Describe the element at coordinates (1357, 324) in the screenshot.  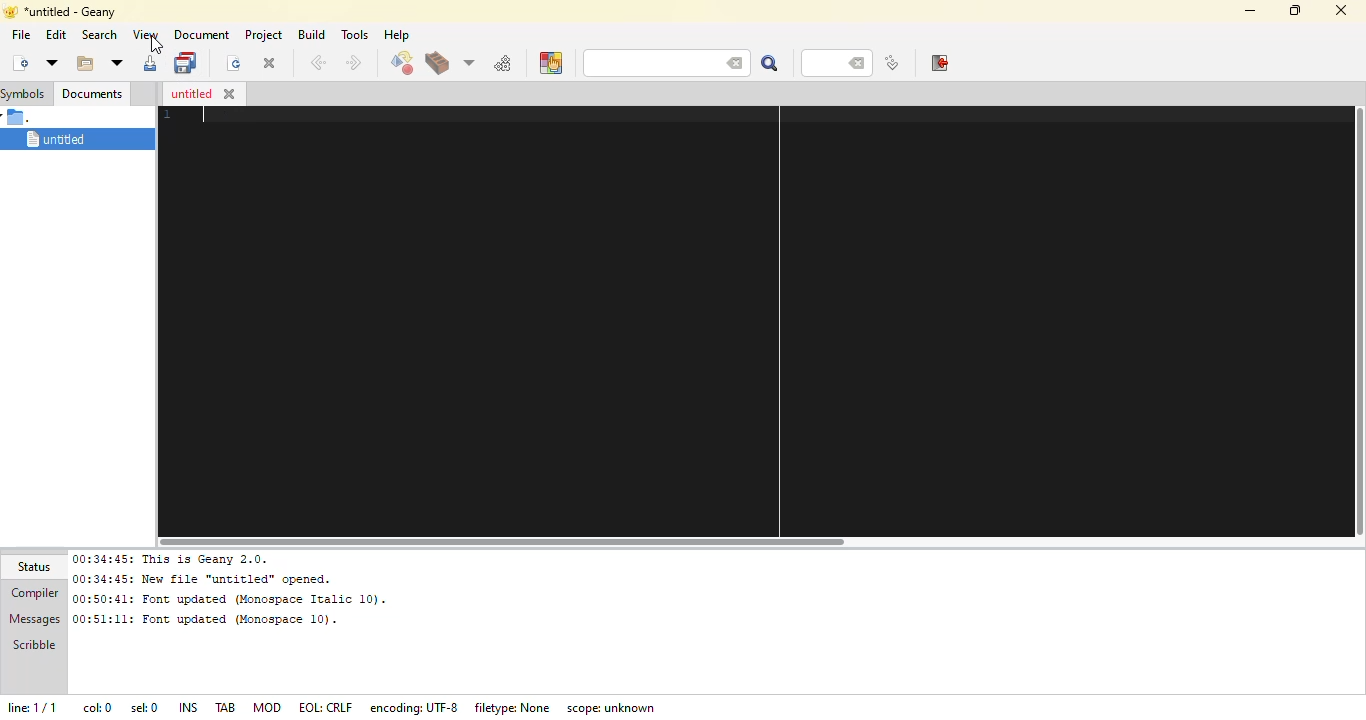
I see `vertical slide bar` at that location.